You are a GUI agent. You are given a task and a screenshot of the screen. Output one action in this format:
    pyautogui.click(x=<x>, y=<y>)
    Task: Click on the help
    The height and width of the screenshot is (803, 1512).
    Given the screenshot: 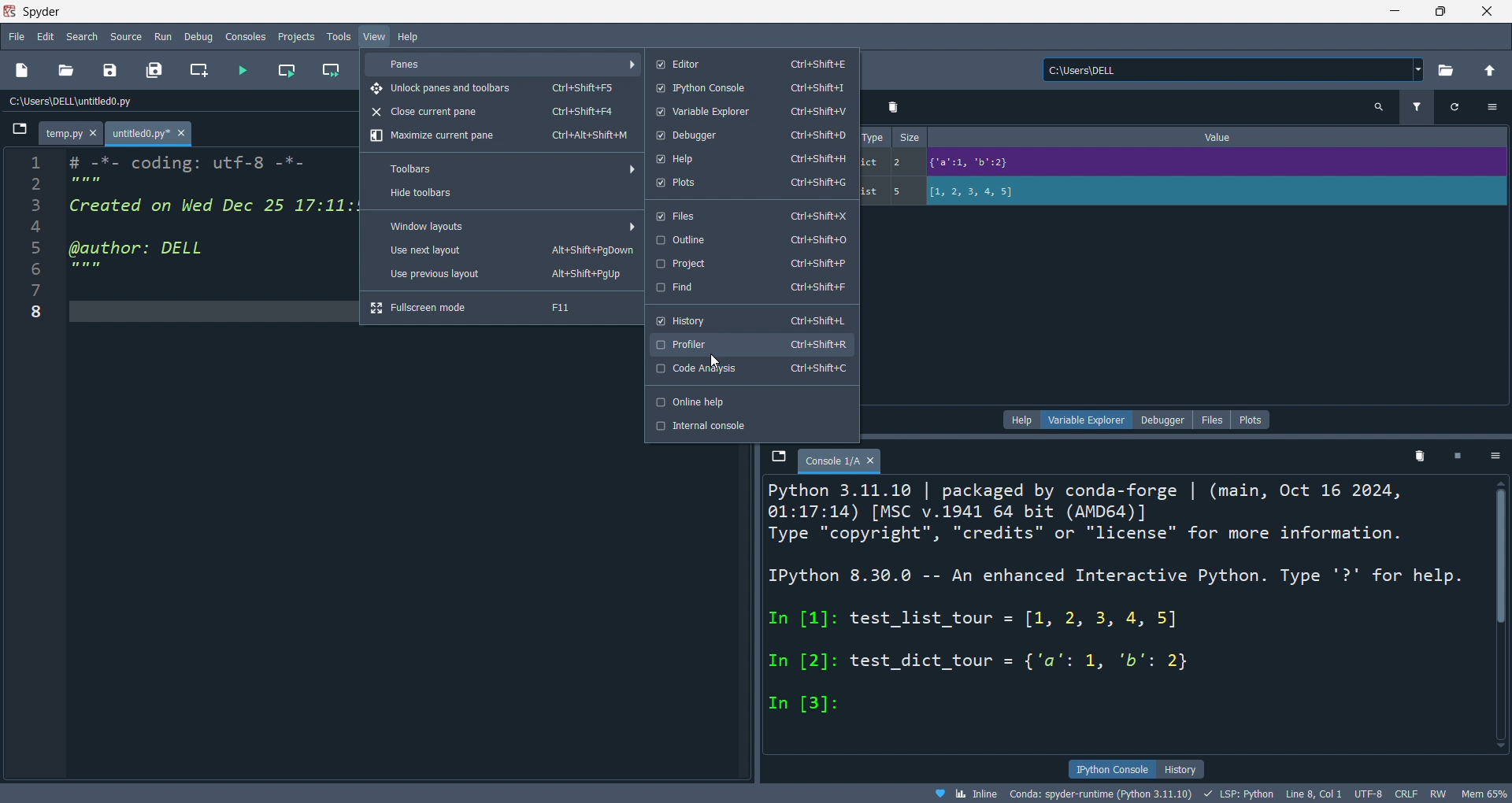 What is the action you would take?
    pyautogui.click(x=1020, y=419)
    